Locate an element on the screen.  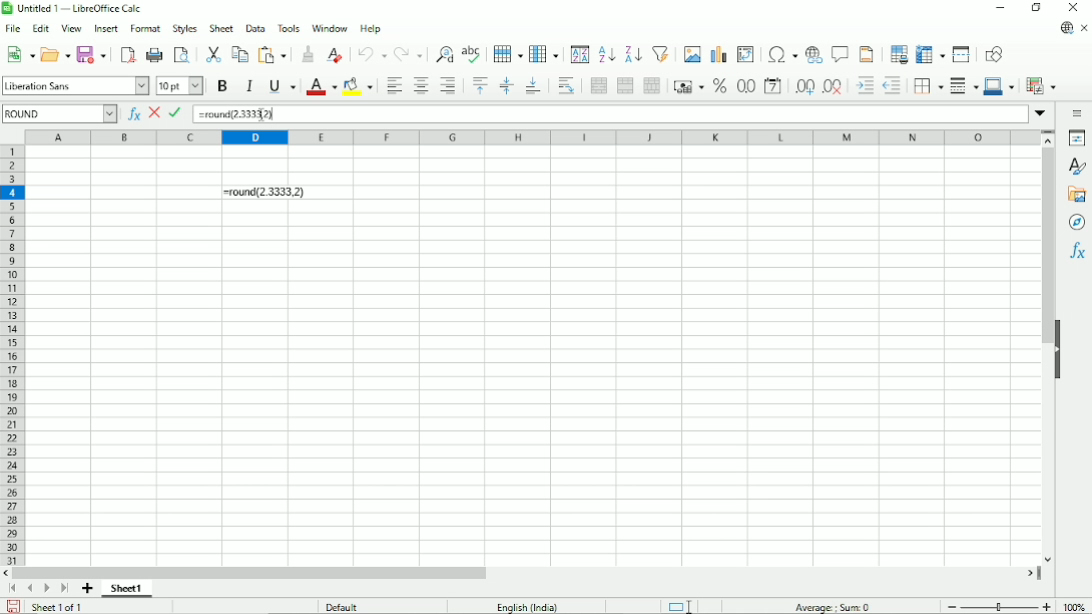
Clear direct formatting is located at coordinates (335, 56).